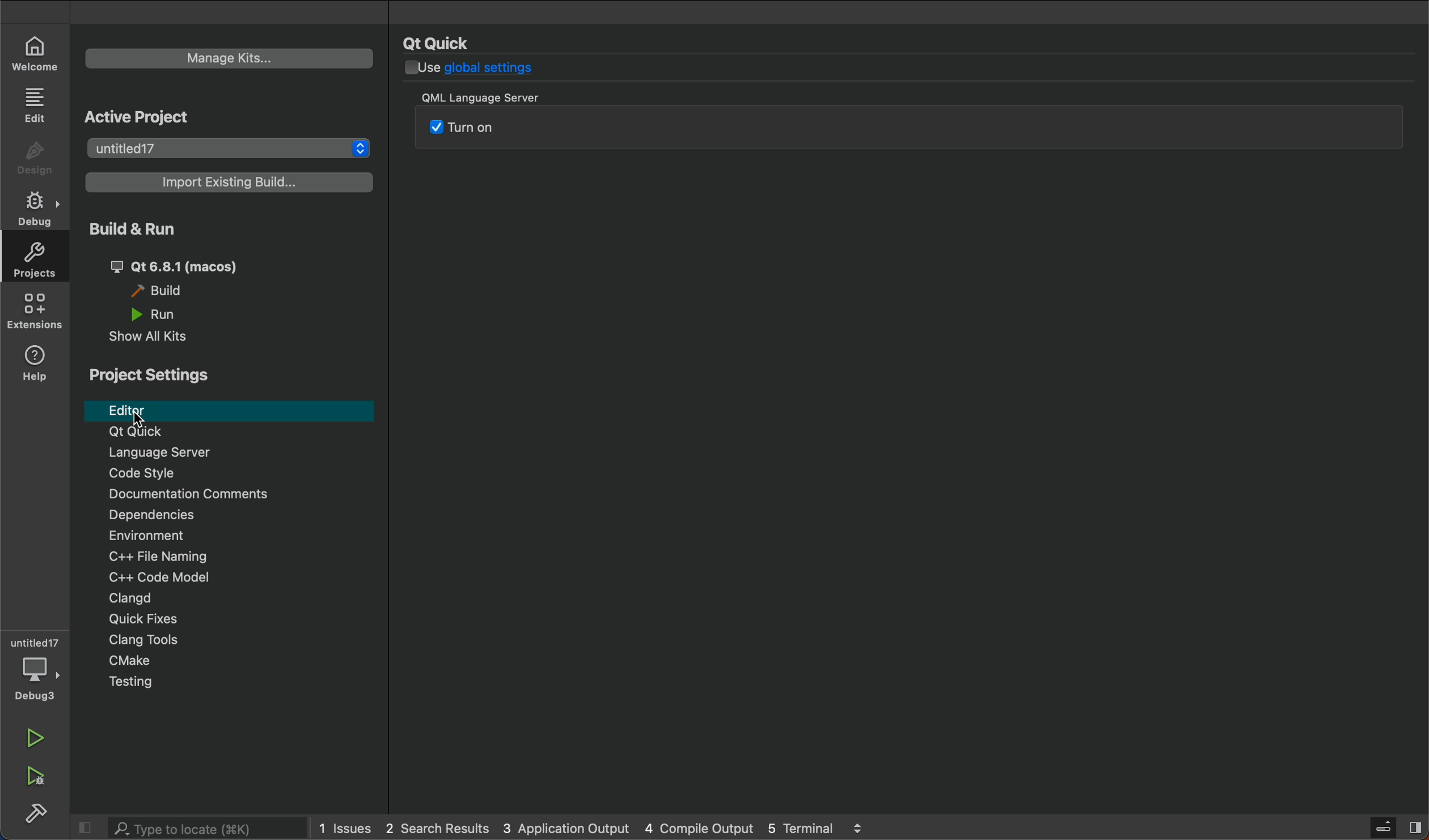  Describe the element at coordinates (225, 495) in the screenshot. I see `Documentation comments` at that location.